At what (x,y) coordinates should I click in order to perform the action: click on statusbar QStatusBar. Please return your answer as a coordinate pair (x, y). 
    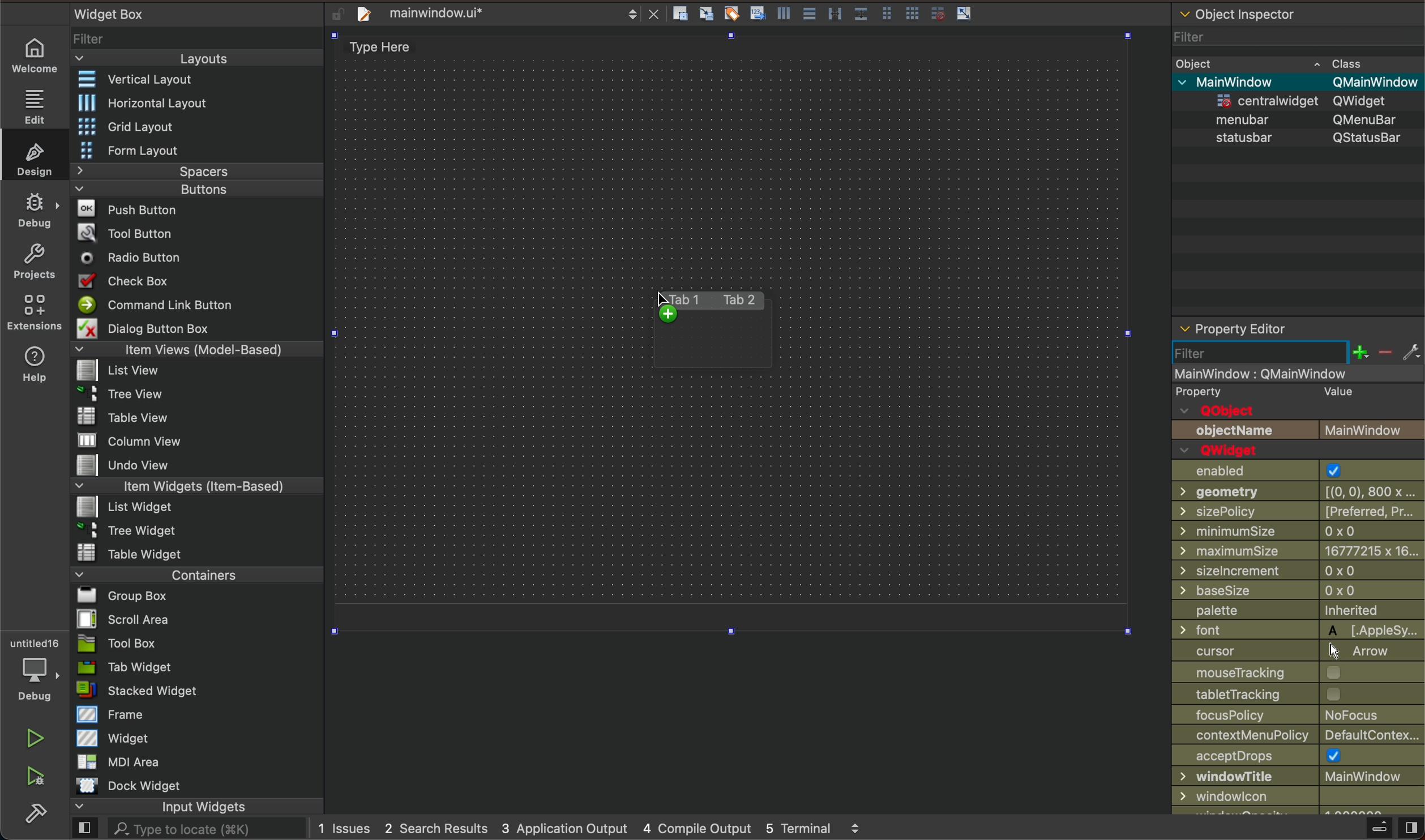
    Looking at the image, I should click on (1296, 138).